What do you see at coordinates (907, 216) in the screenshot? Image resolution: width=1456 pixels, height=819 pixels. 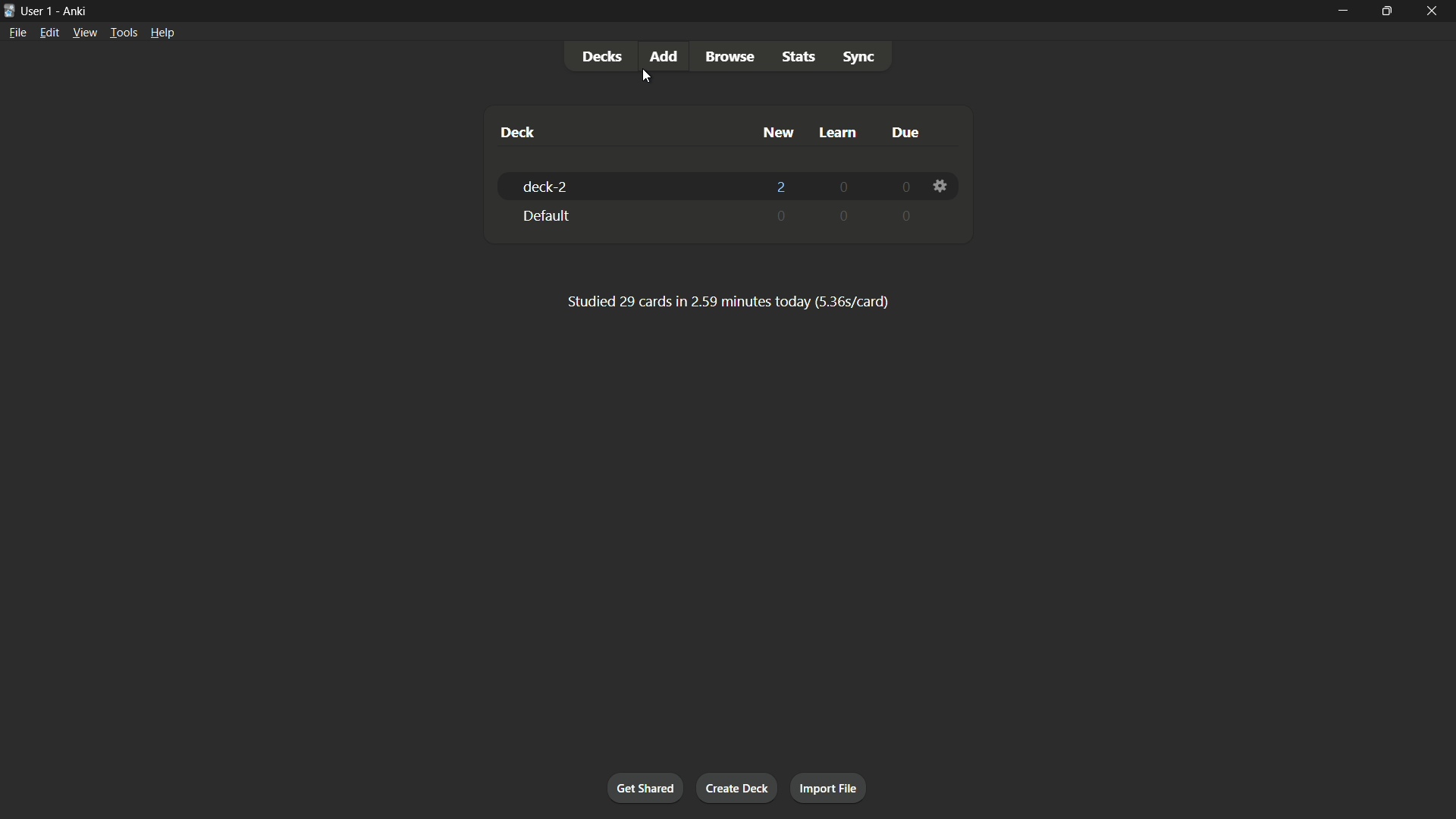 I see `0` at bounding box center [907, 216].